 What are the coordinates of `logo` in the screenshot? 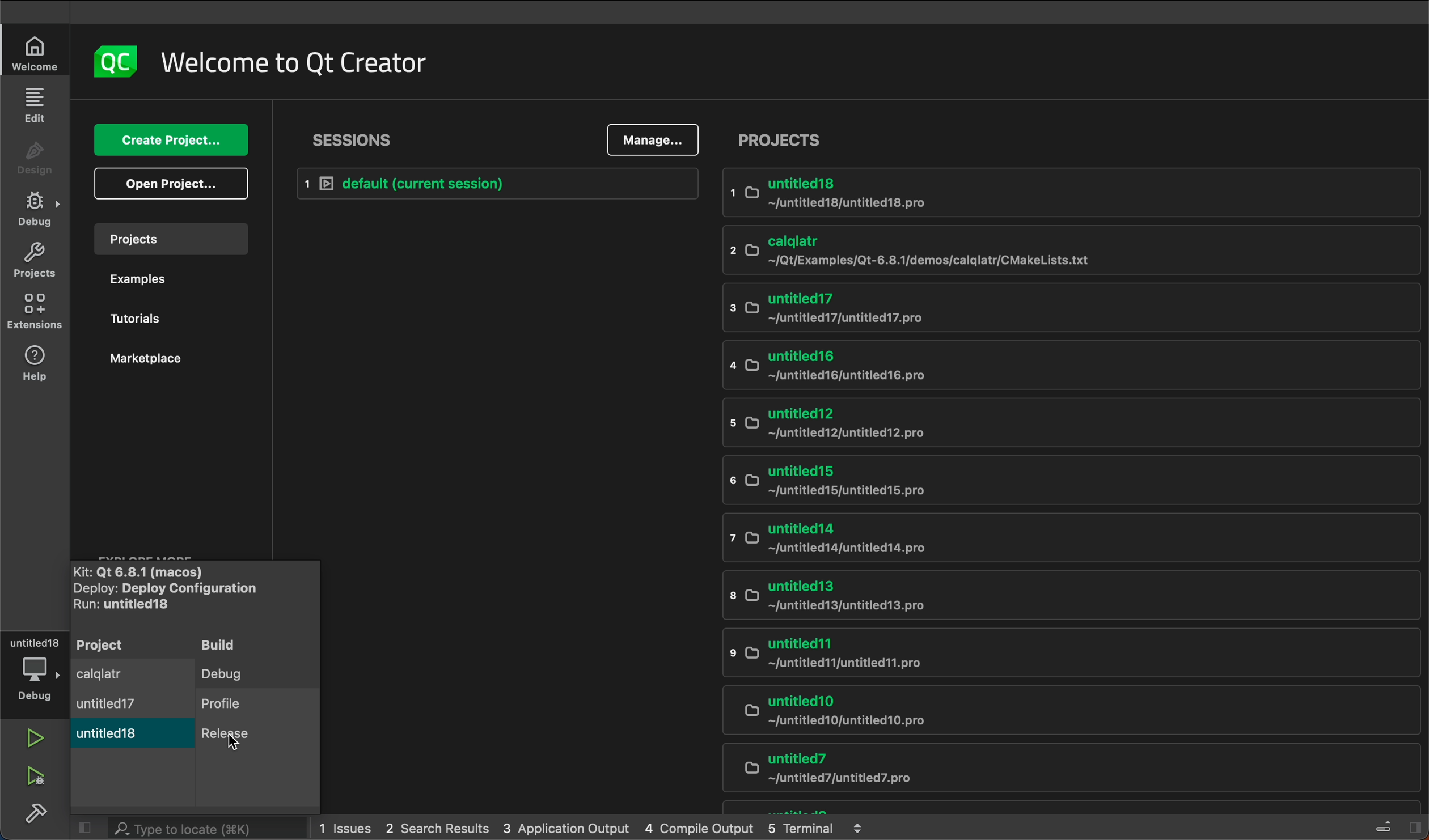 It's located at (115, 60).